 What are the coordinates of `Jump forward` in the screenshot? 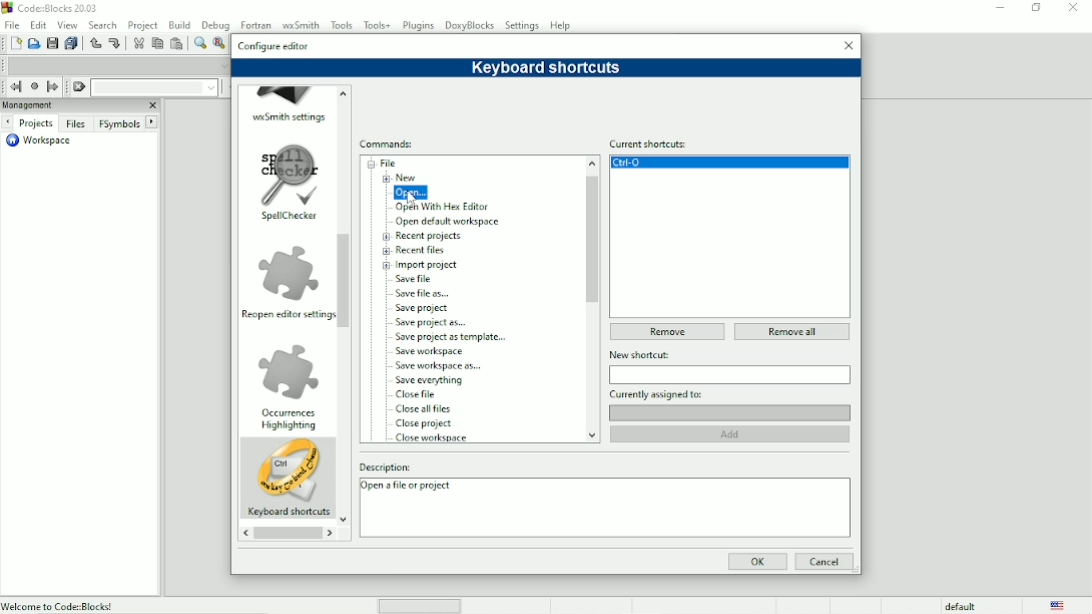 It's located at (55, 87).